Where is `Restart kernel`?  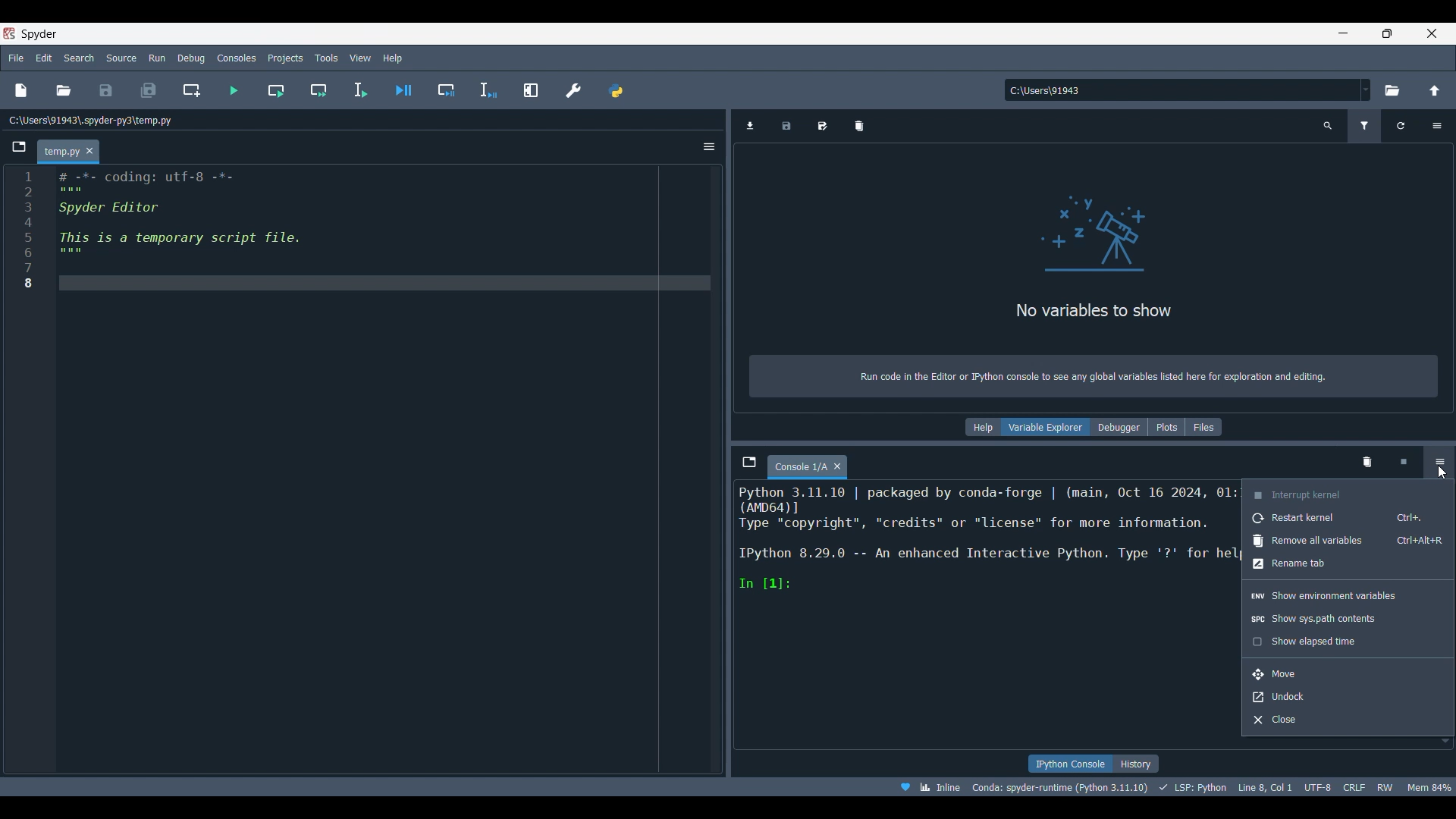
Restart kernel is located at coordinates (1348, 518).